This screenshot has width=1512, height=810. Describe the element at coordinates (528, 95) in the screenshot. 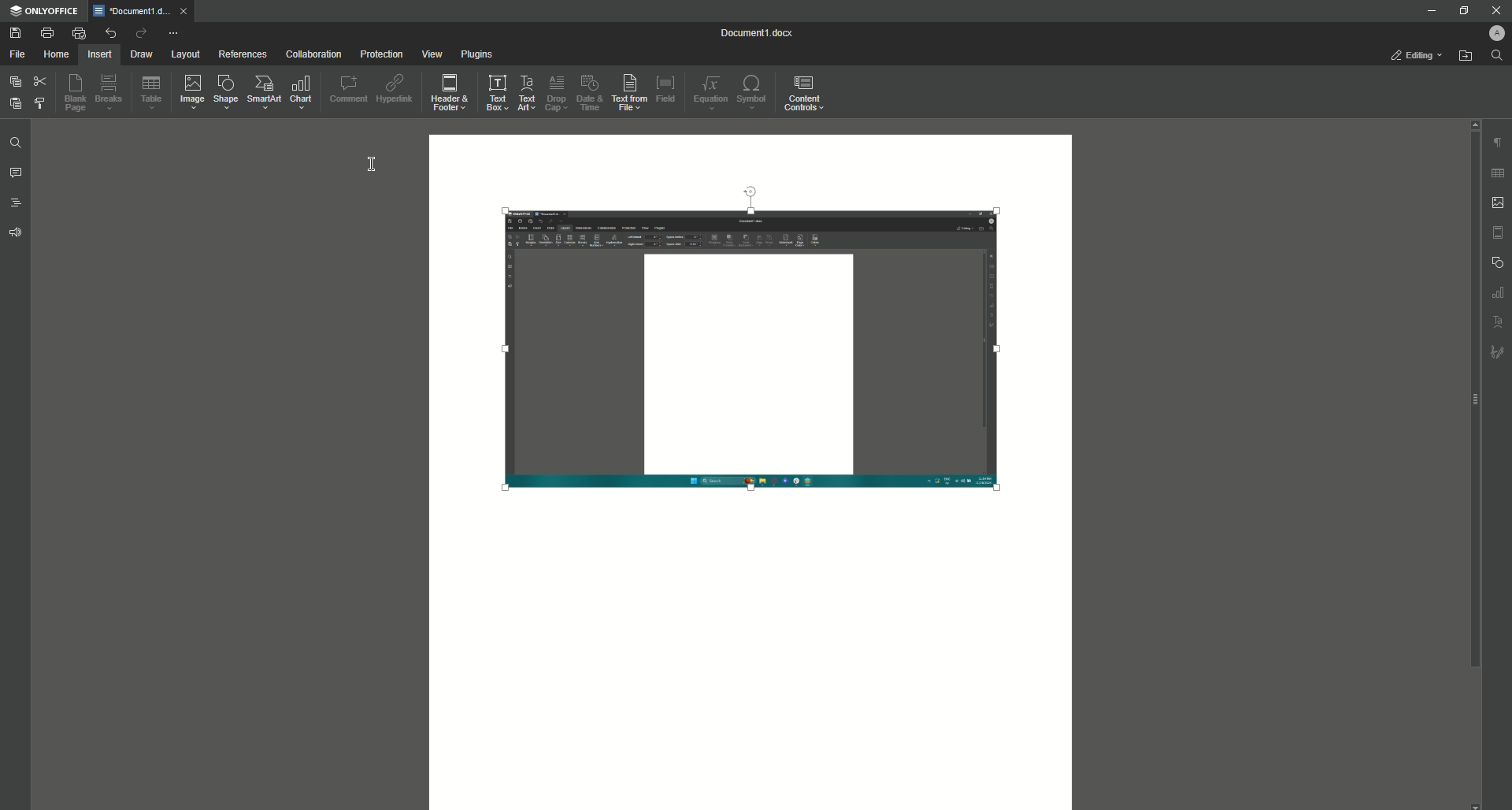

I see `Text Art` at that location.